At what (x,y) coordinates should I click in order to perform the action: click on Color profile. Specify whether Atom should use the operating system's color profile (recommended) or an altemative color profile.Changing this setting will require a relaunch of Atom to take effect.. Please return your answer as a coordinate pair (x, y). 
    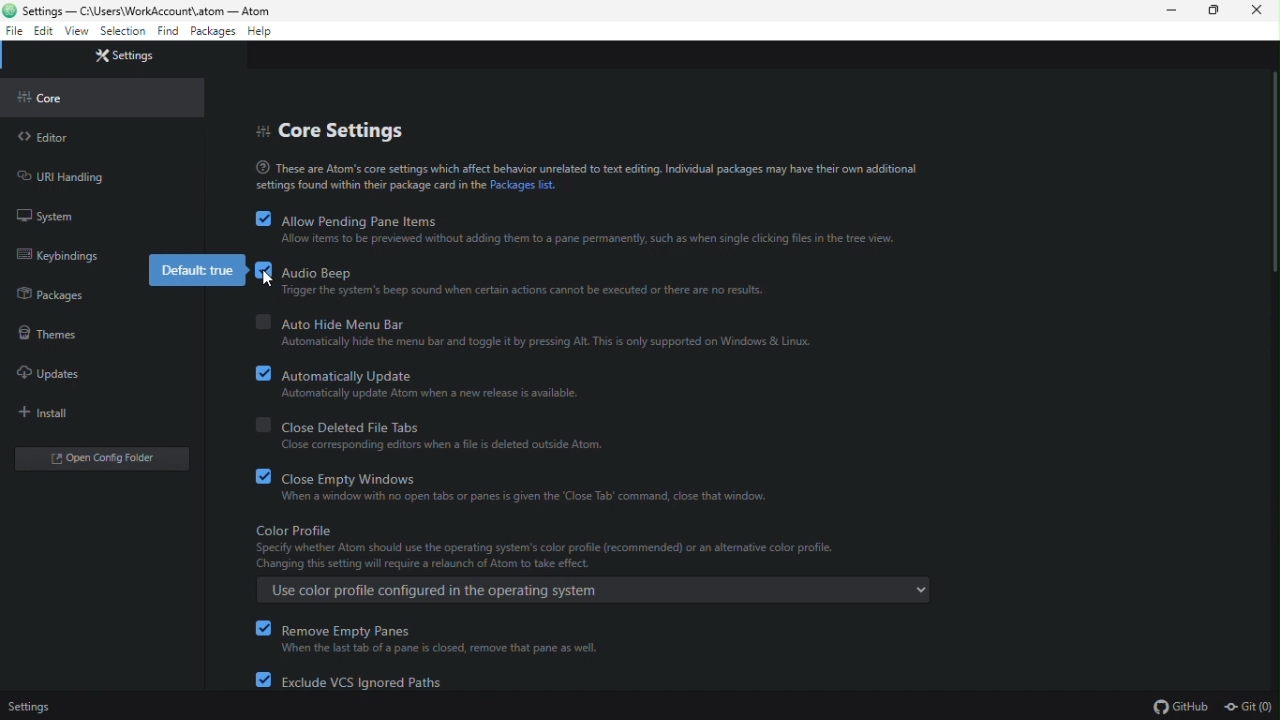
    Looking at the image, I should click on (548, 546).